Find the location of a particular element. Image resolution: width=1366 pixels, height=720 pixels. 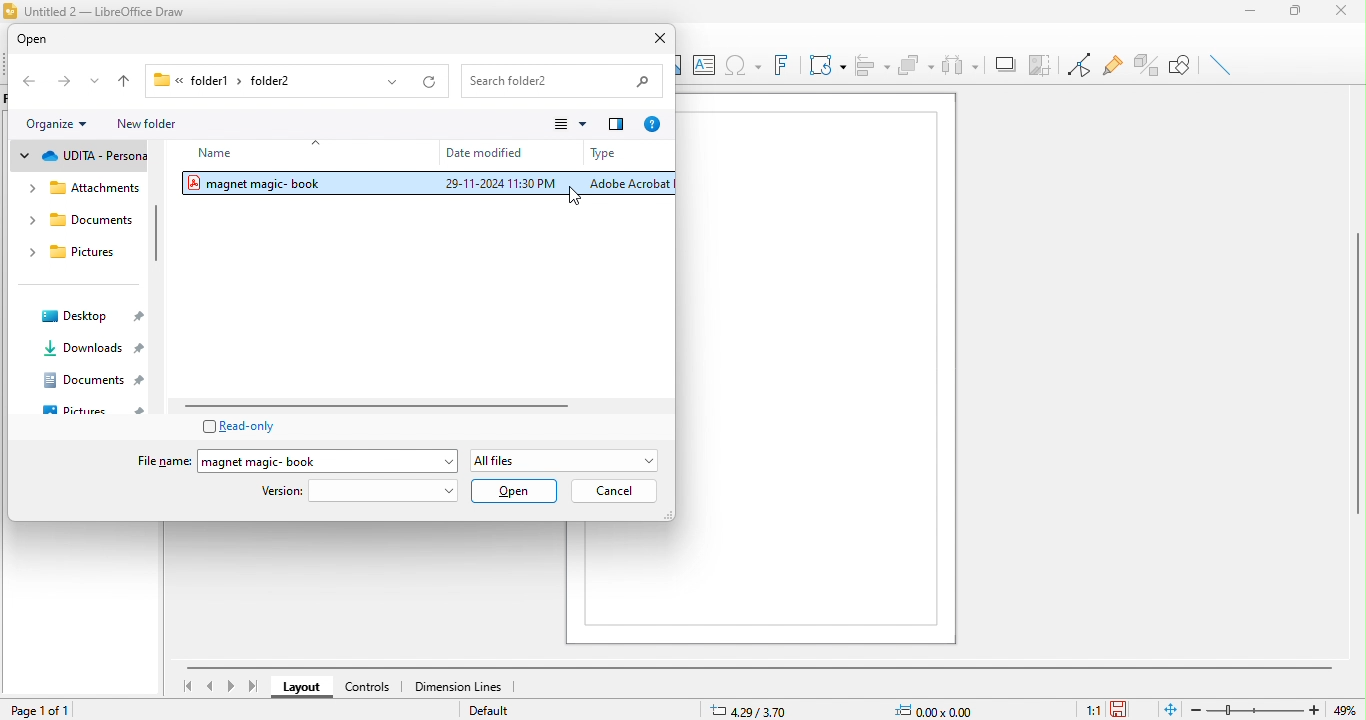

magnet.magic-book is located at coordinates (283, 183).